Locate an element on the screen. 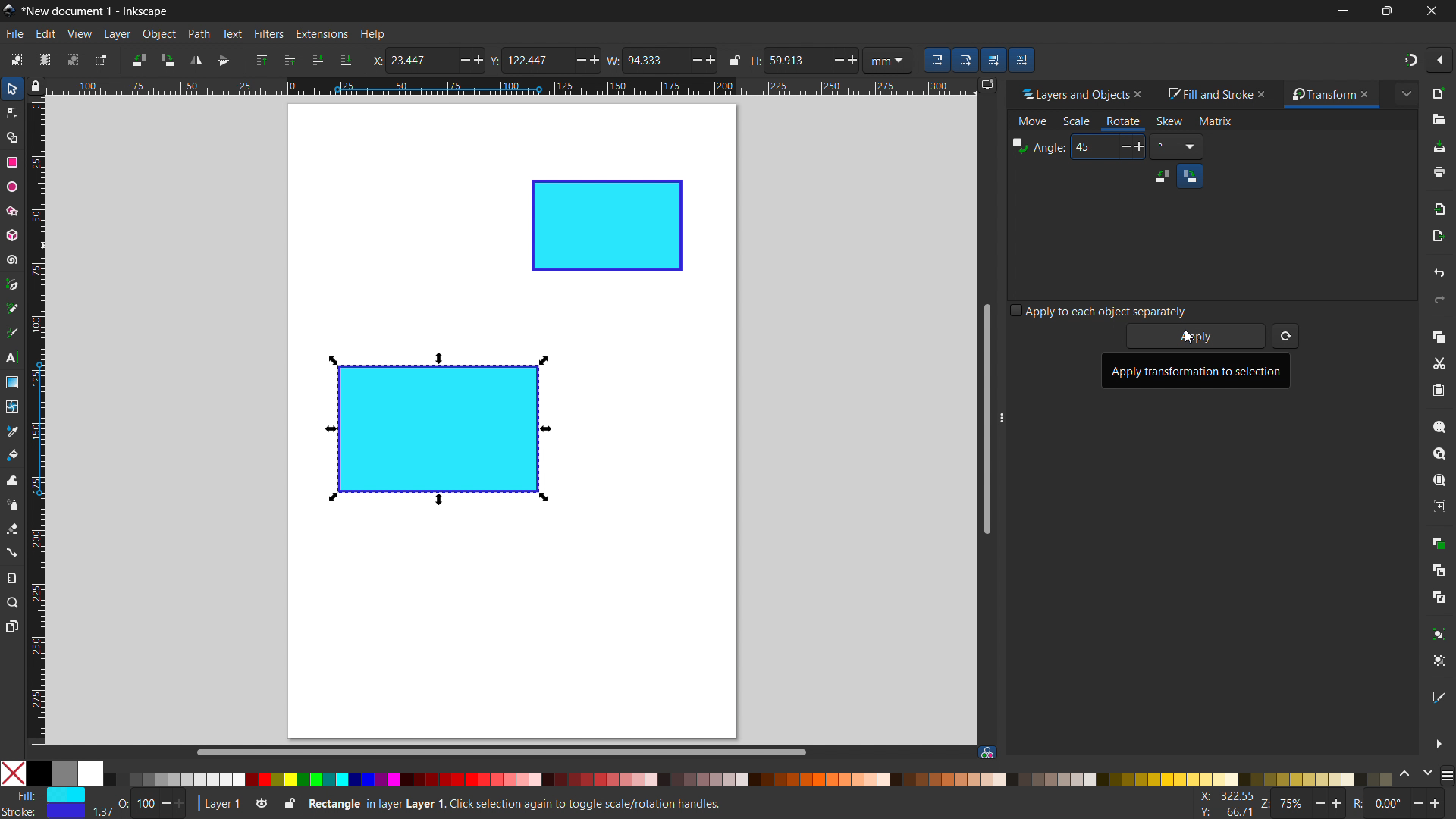 The height and width of the screenshot is (819, 1456). width of stroke is located at coordinates (102, 812).